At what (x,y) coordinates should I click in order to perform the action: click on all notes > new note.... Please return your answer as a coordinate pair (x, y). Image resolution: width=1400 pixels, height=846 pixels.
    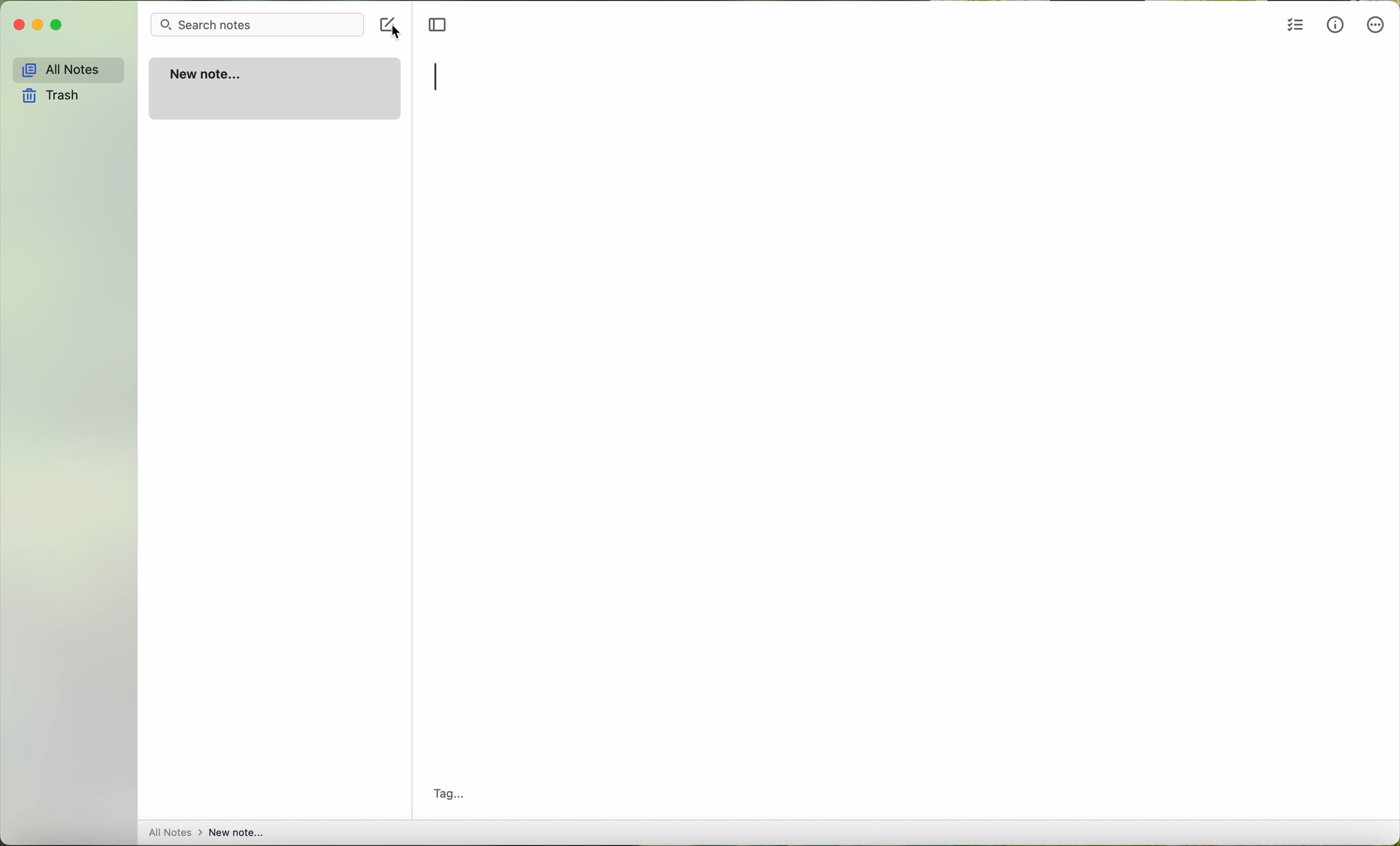
    Looking at the image, I should click on (206, 832).